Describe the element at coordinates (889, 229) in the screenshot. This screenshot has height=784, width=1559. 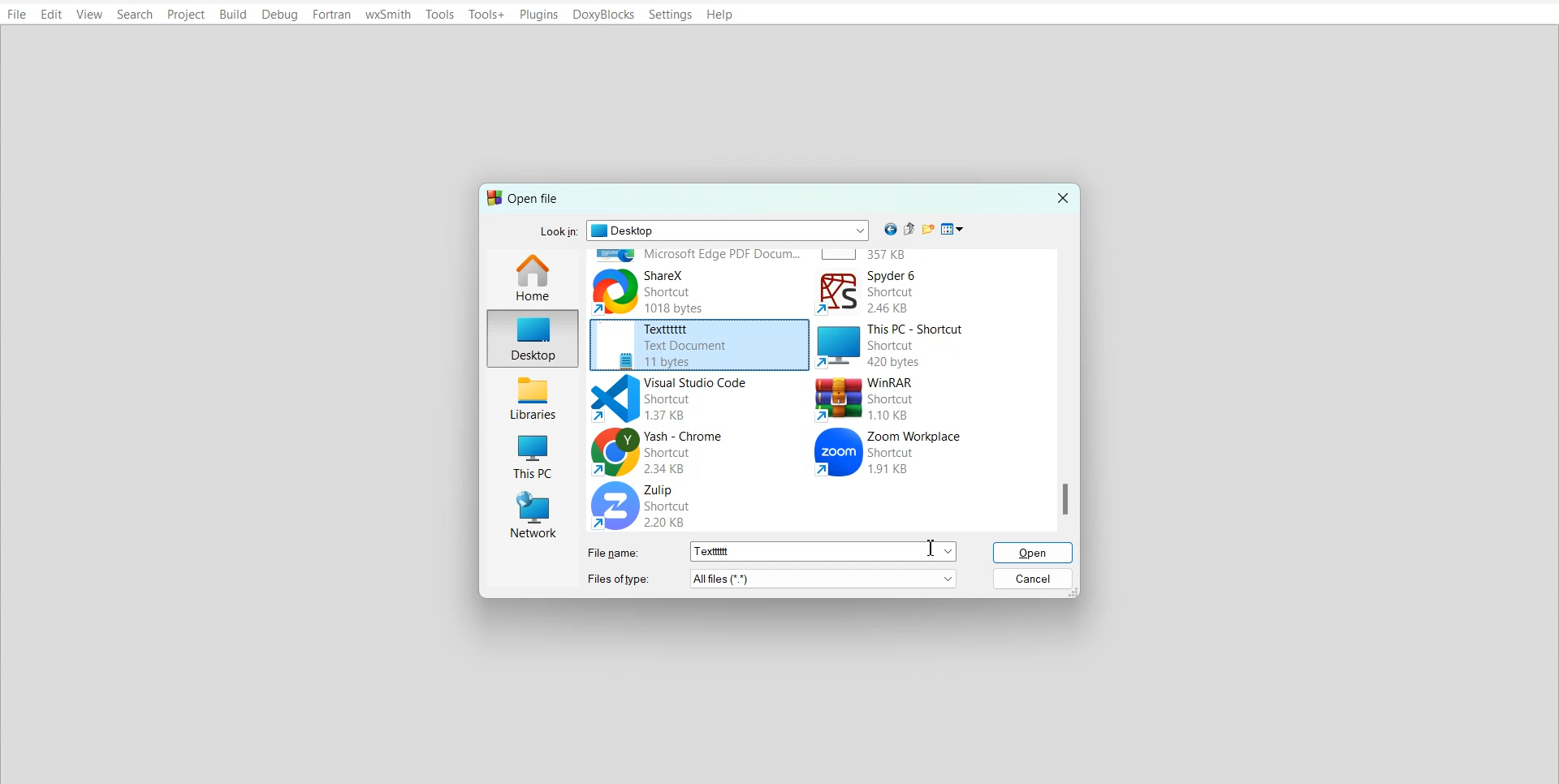
I see `Go back to previous file` at that location.